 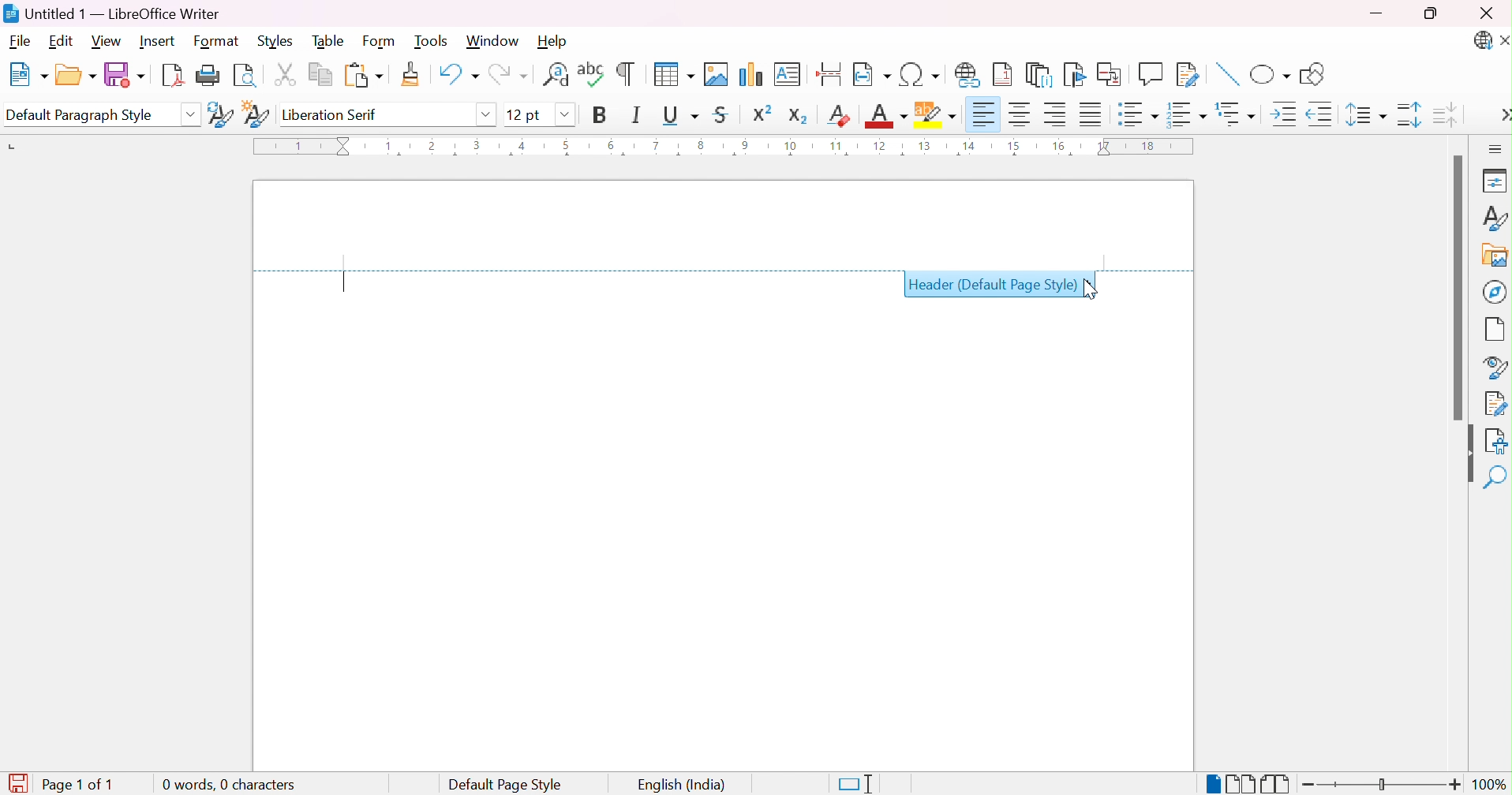 What do you see at coordinates (331, 114) in the screenshot?
I see `Liberation serif` at bounding box center [331, 114].